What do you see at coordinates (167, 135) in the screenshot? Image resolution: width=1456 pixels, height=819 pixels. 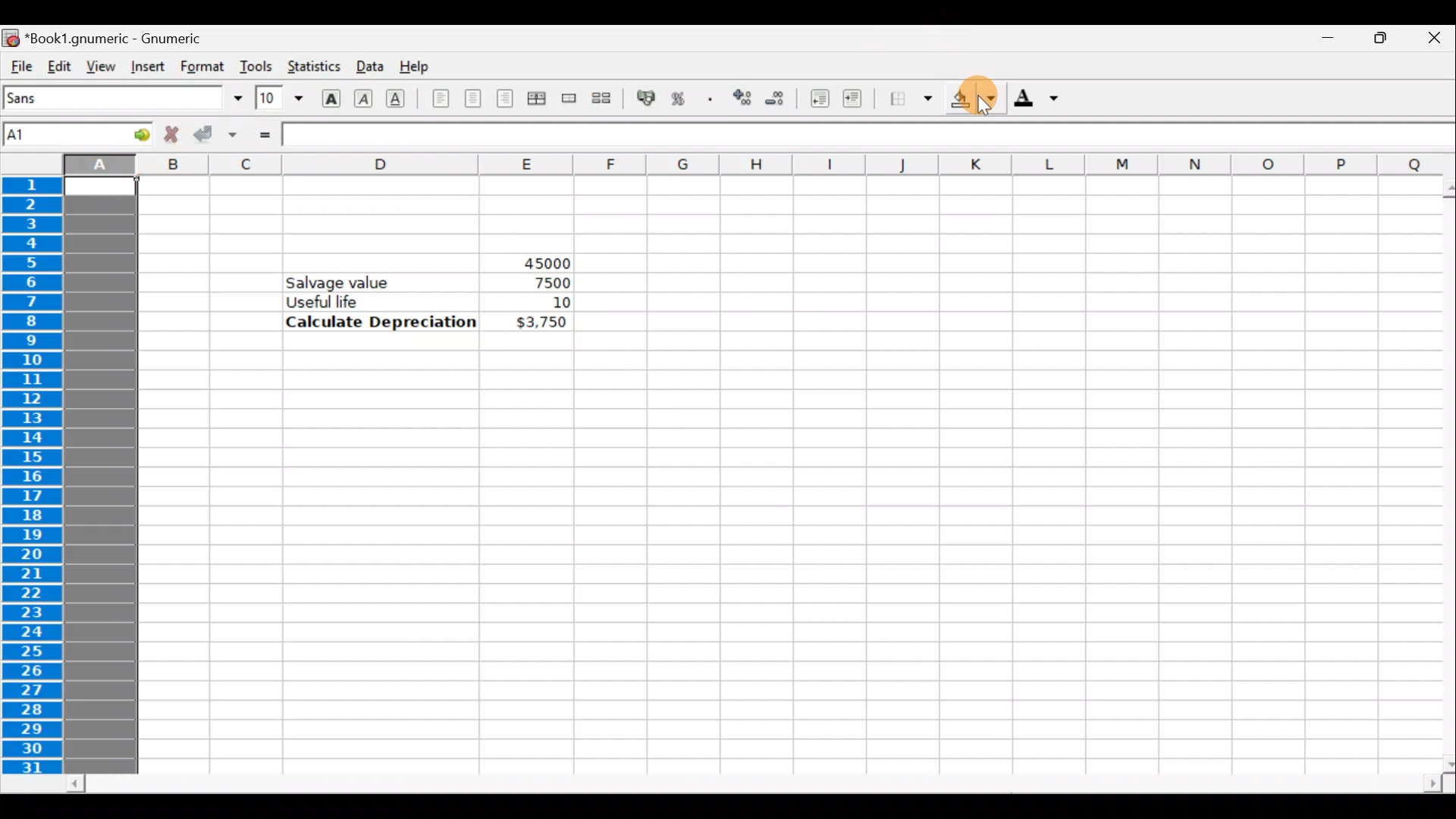 I see `Reject change` at bounding box center [167, 135].